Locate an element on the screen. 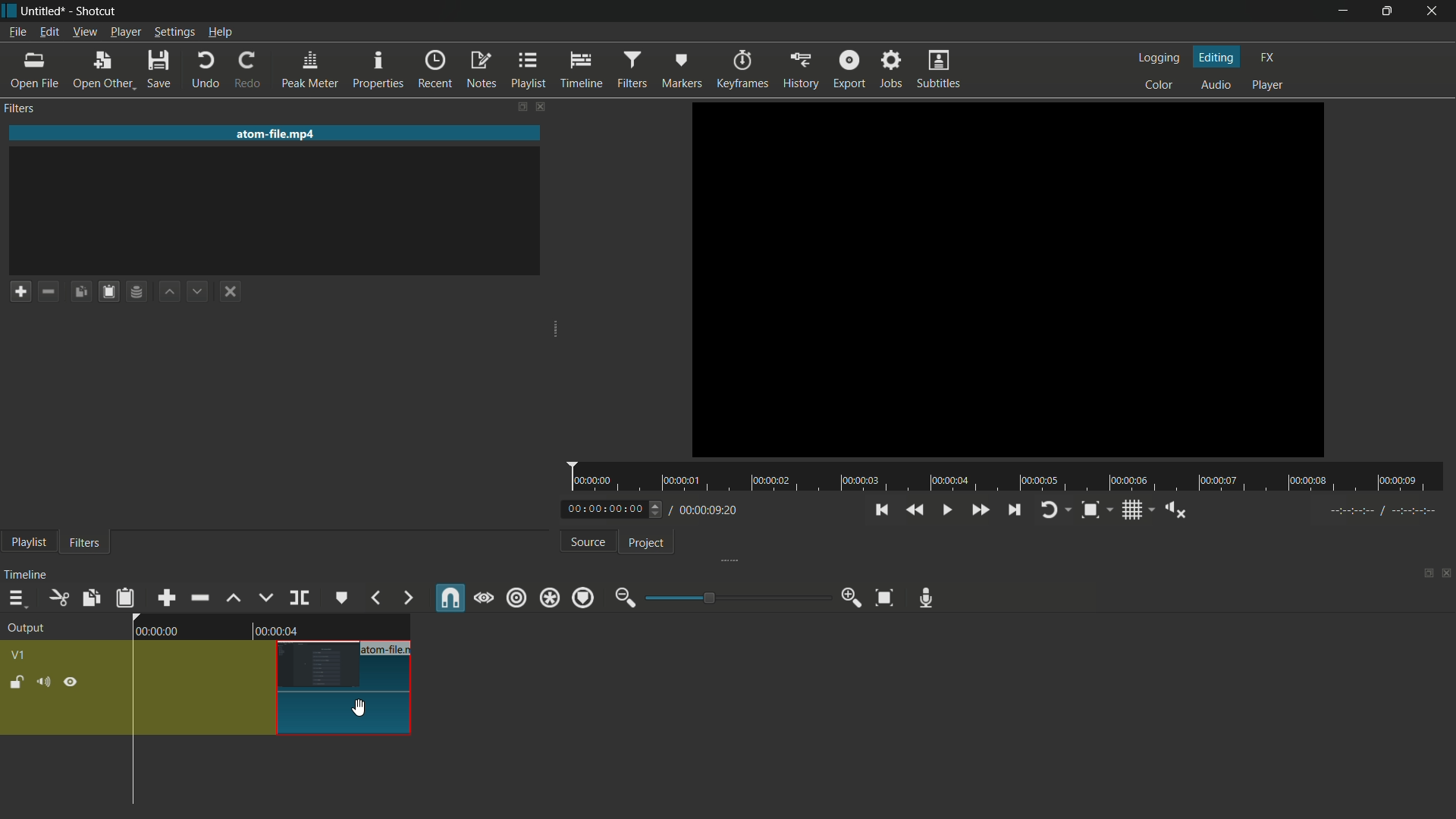  quickly play forward is located at coordinates (980, 508).